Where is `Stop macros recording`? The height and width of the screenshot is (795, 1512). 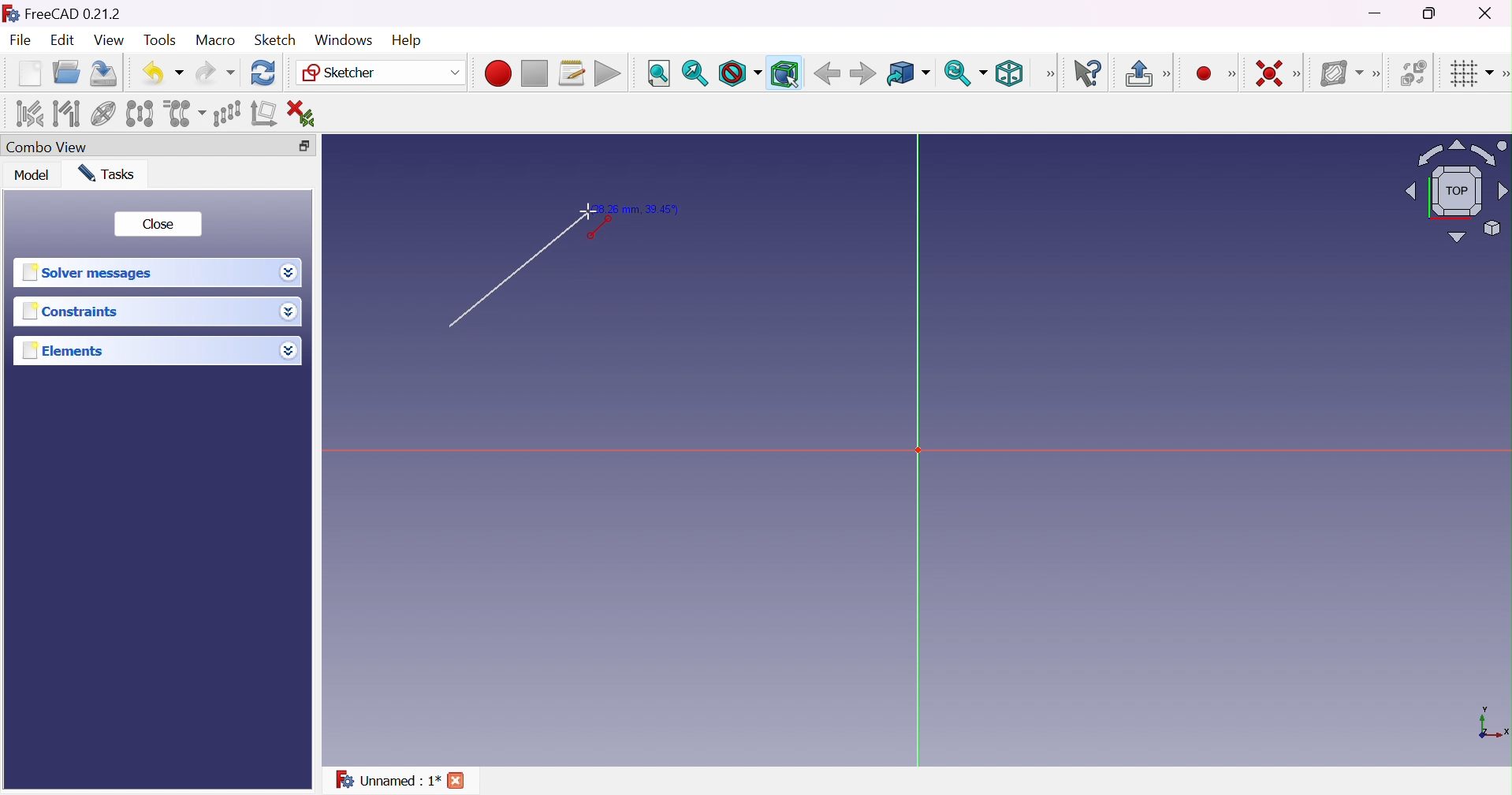
Stop macros recording is located at coordinates (534, 74).